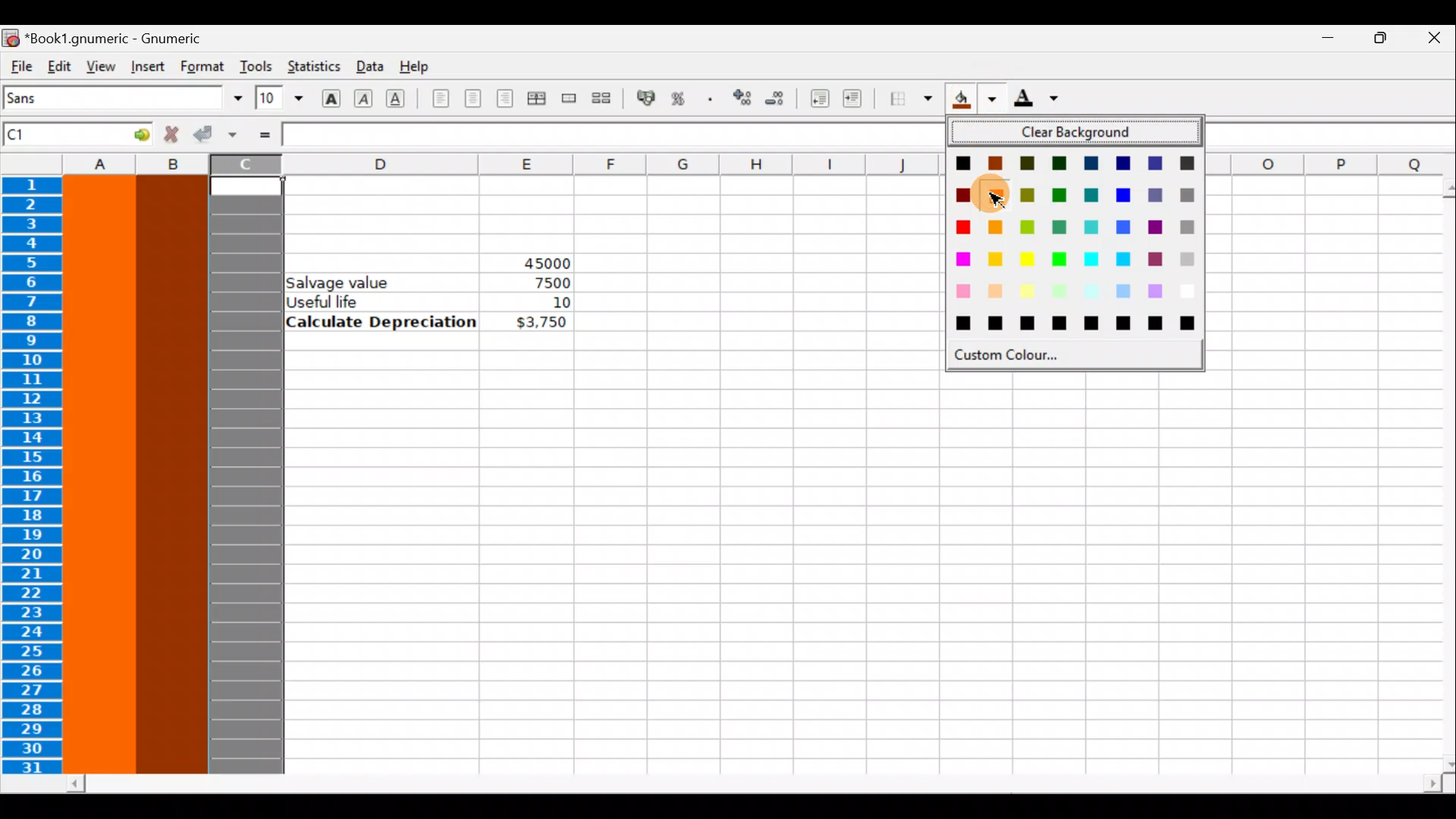 The width and height of the screenshot is (1456, 819). What do you see at coordinates (54, 136) in the screenshot?
I see `Cell name C1` at bounding box center [54, 136].